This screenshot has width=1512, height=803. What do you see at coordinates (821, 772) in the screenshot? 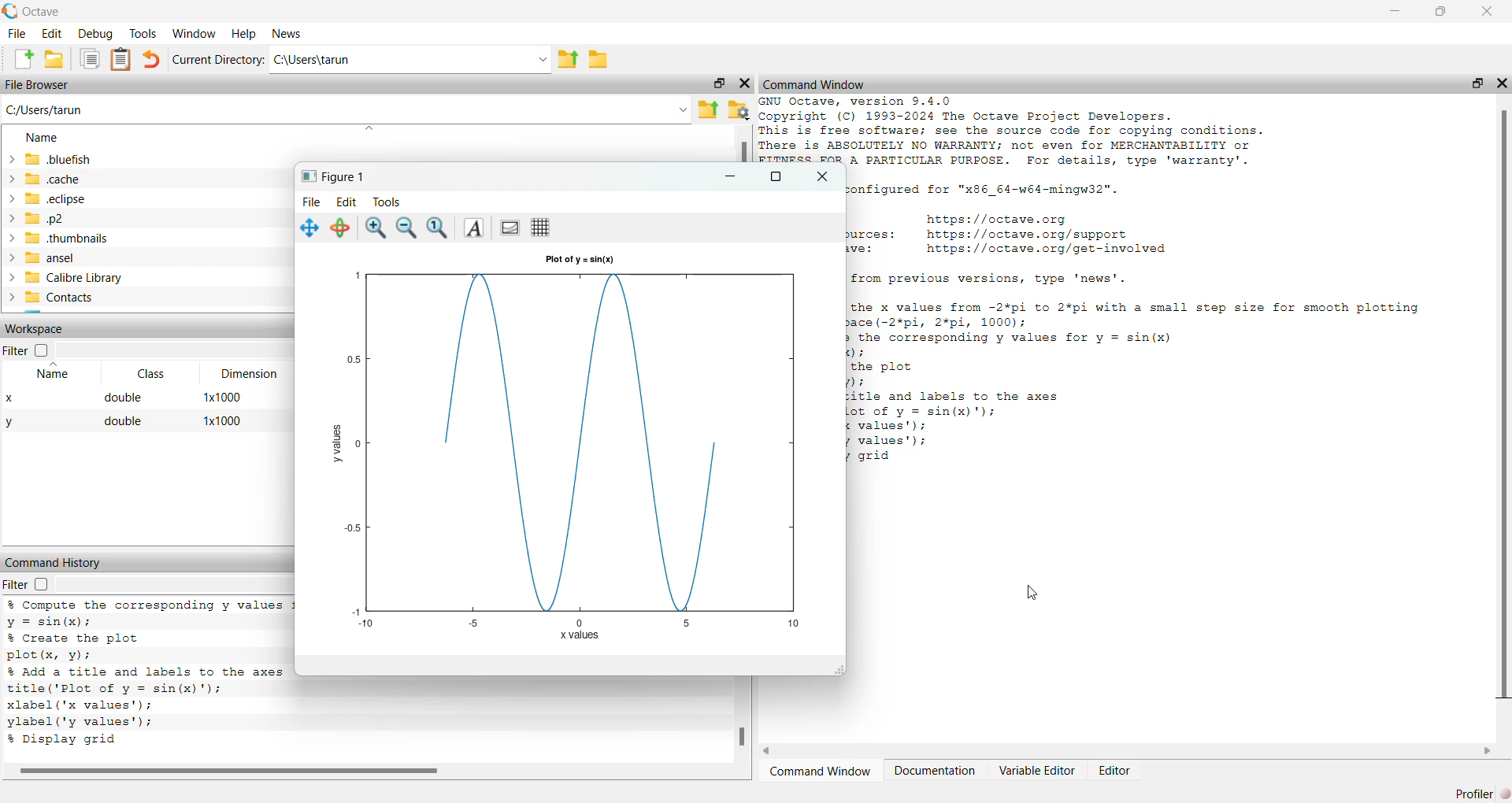
I see `Command Window` at bounding box center [821, 772].